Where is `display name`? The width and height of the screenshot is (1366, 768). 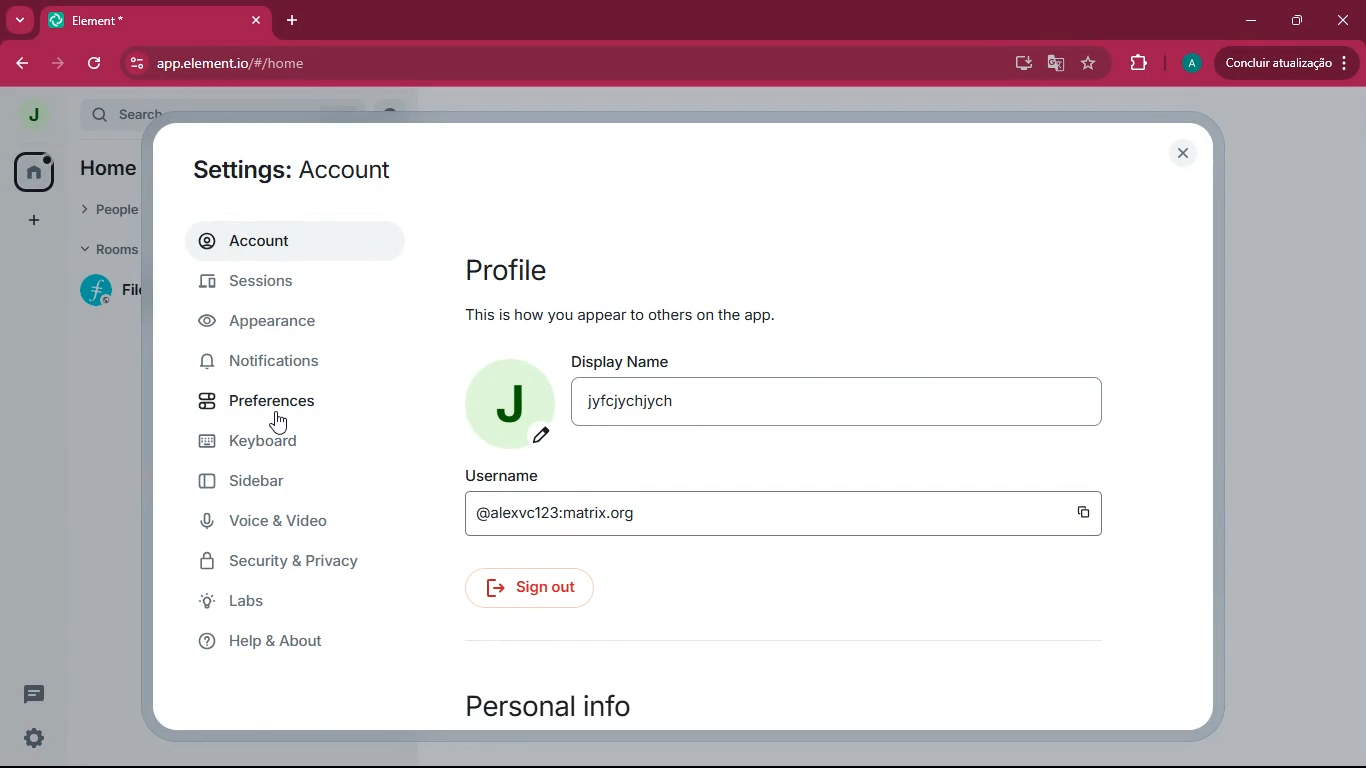
display name is located at coordinates (630, 360).